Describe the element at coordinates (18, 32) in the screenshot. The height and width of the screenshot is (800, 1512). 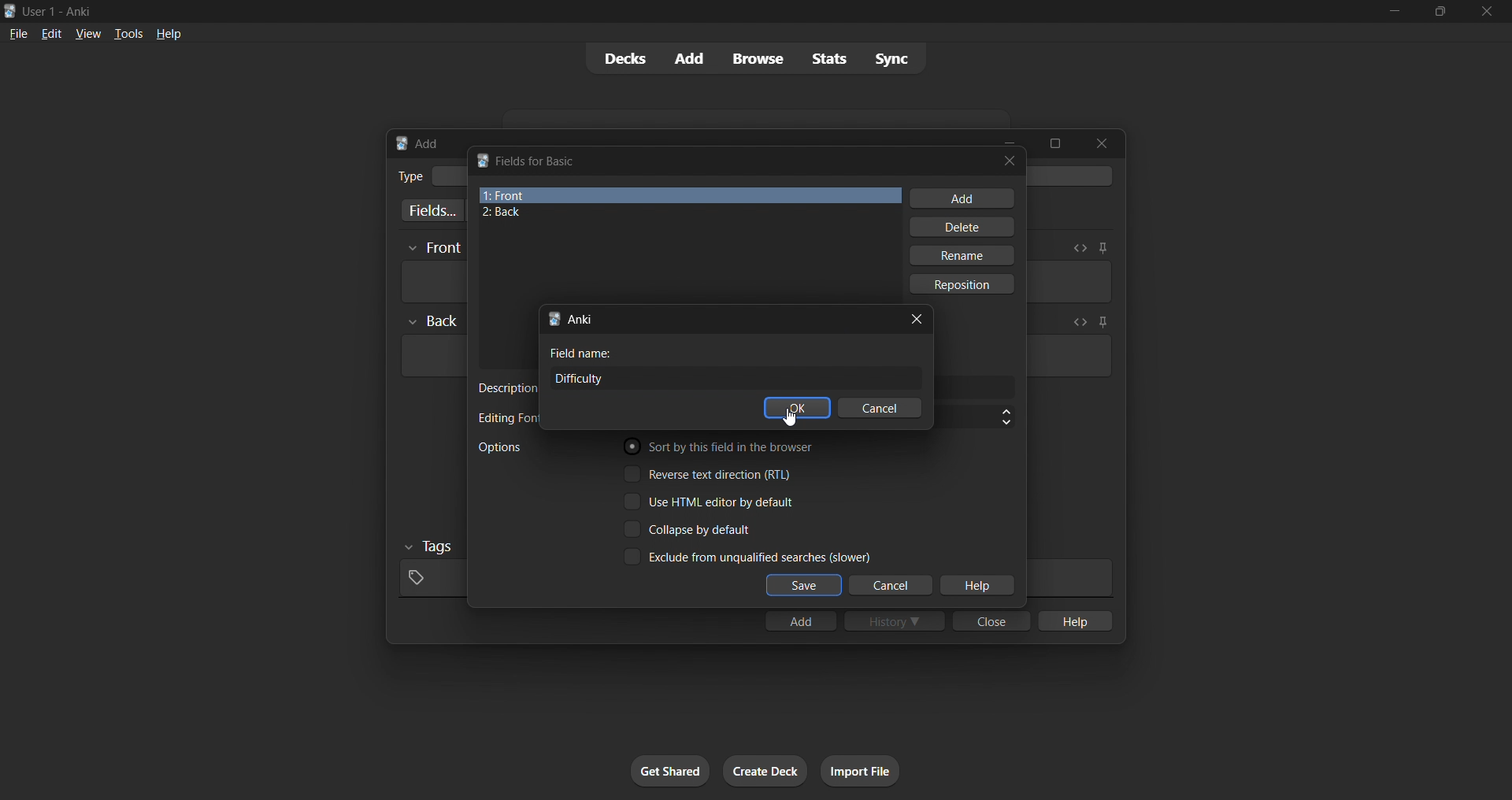
I see `file` at that location.